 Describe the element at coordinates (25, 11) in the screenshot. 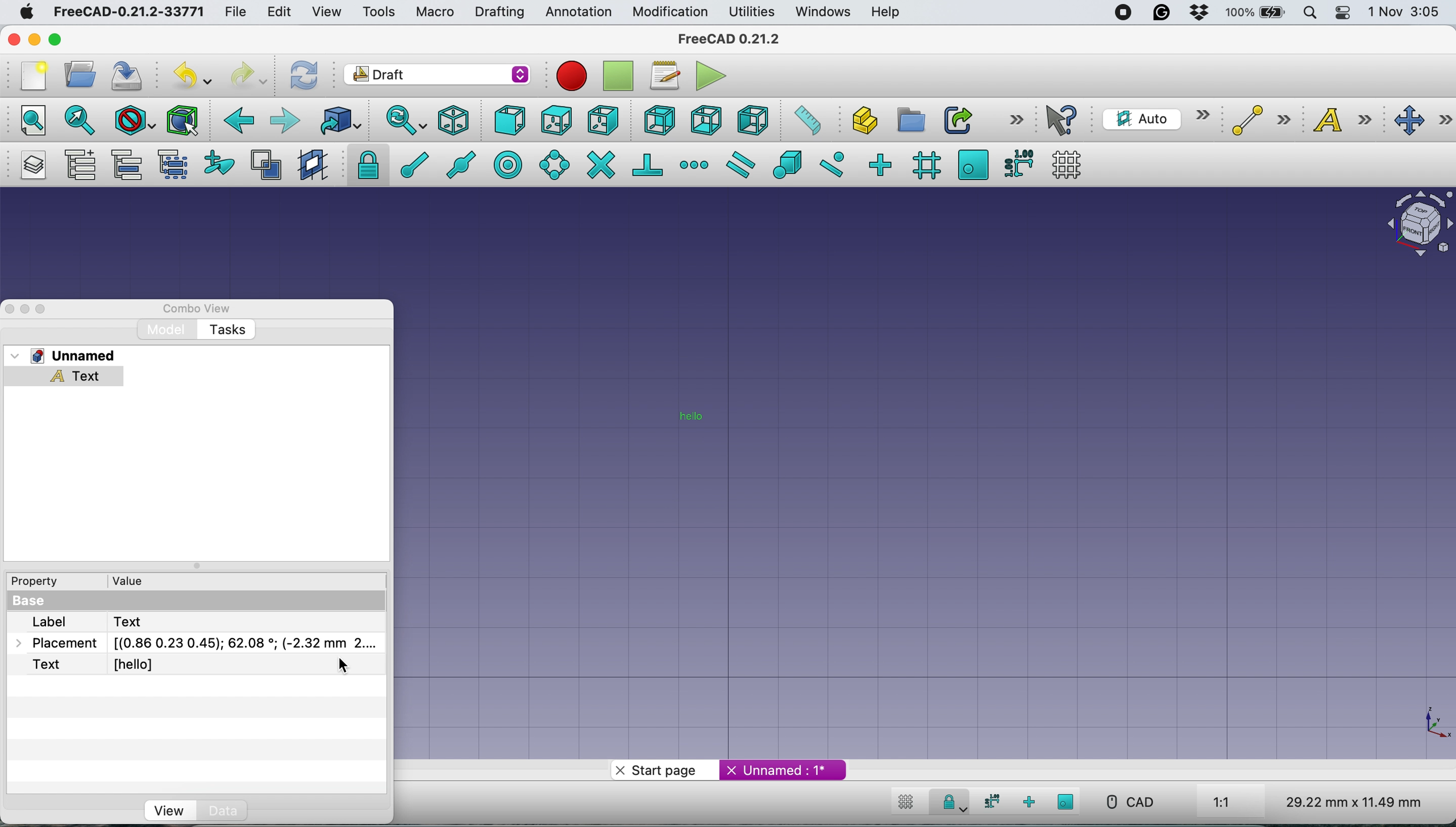

I see `system logo` at that location.